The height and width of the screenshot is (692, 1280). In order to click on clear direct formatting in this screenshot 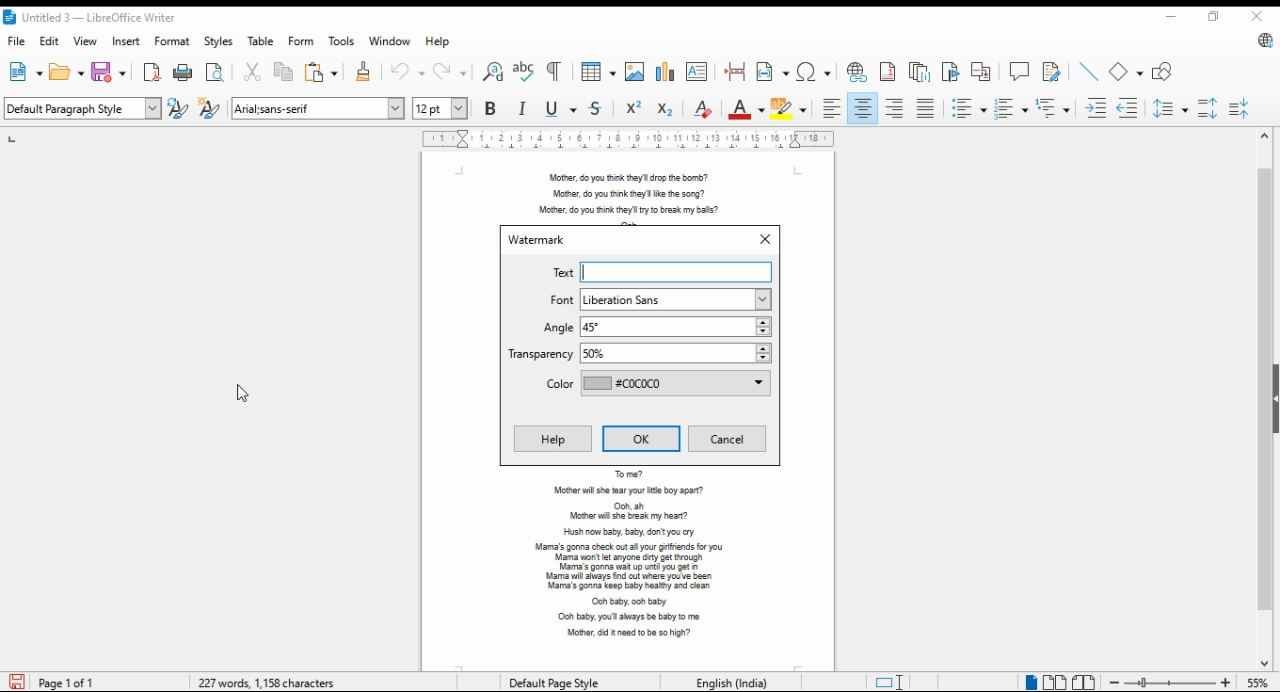, I will do `click(703, 108)`.